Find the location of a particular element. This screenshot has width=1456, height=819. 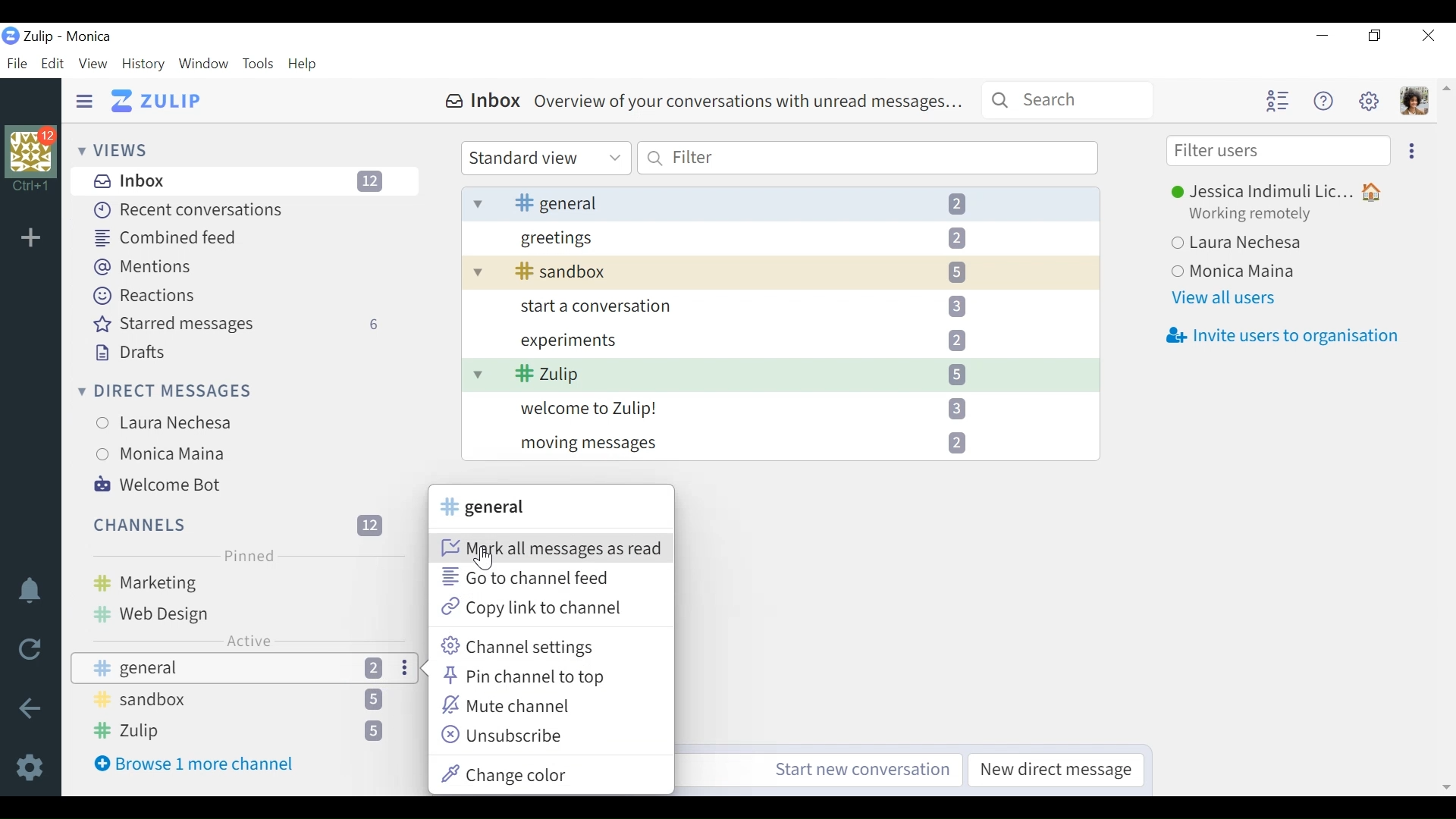

Pin channel to the top is located at coordinates (526, 678).